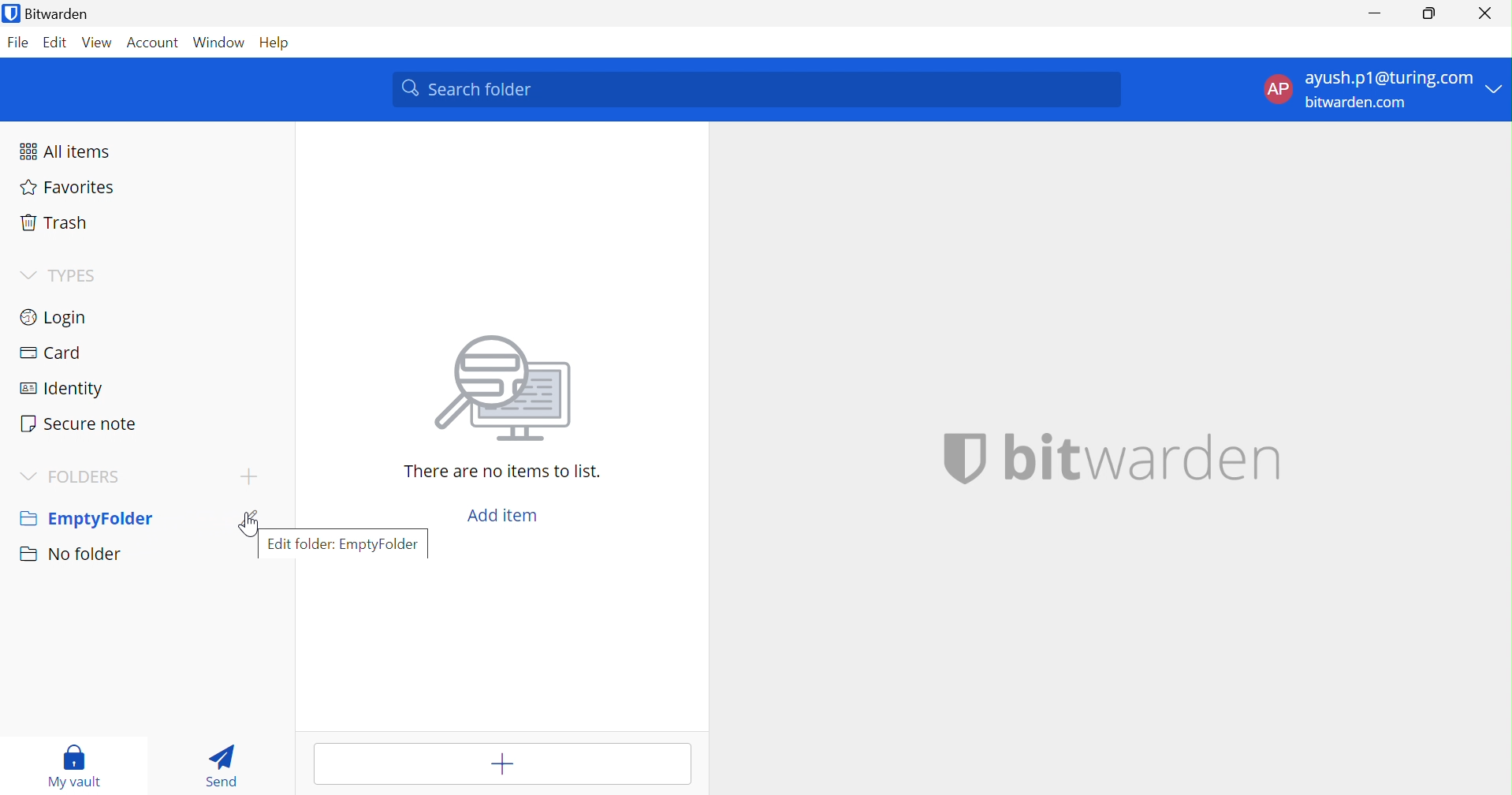 This screenshot has width=1512, height=795. Describe the element at coordinates (502, 472) in the screenshot. I see `There are no items to list.` at that location.